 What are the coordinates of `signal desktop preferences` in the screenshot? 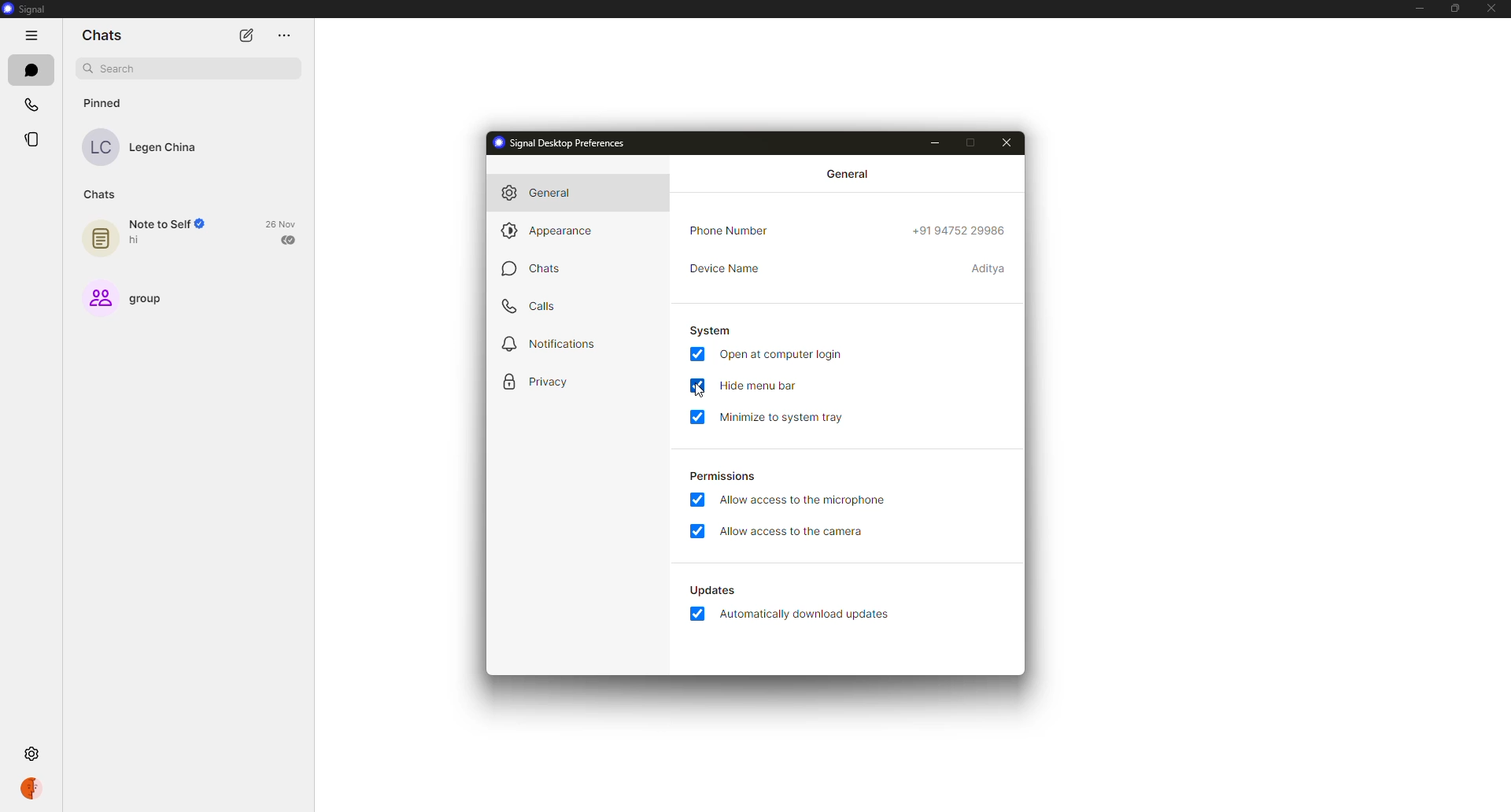 It's located at (560, 142).